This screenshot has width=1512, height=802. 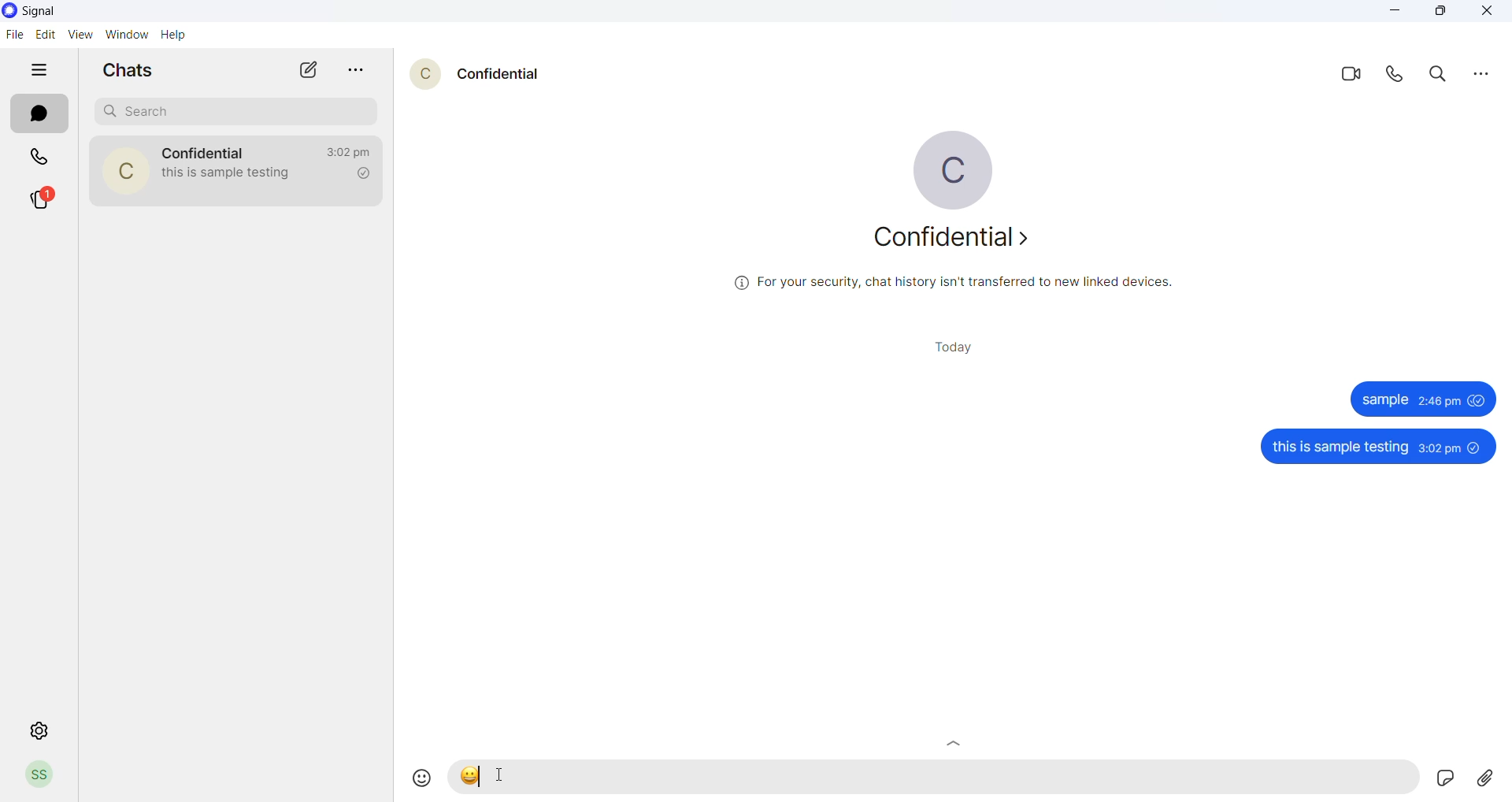 I want to click on 3:02 pm, so click(x=1439, y=447).